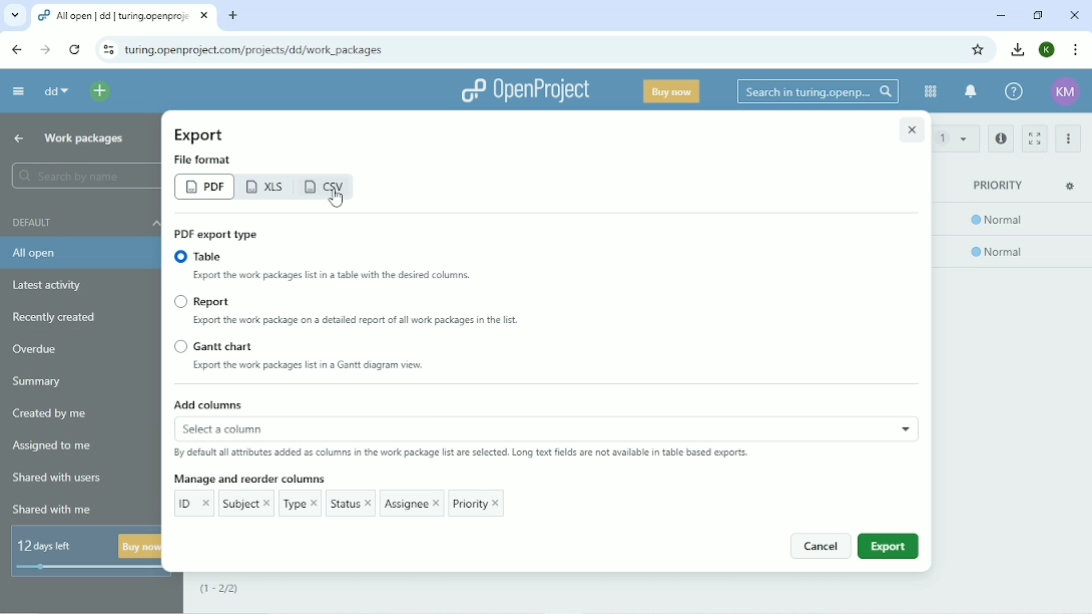 This screenshot has height=614, width=1092. Describe the element at coordinates (84, 140) in the screenshot. I see `Work packages` at that location.